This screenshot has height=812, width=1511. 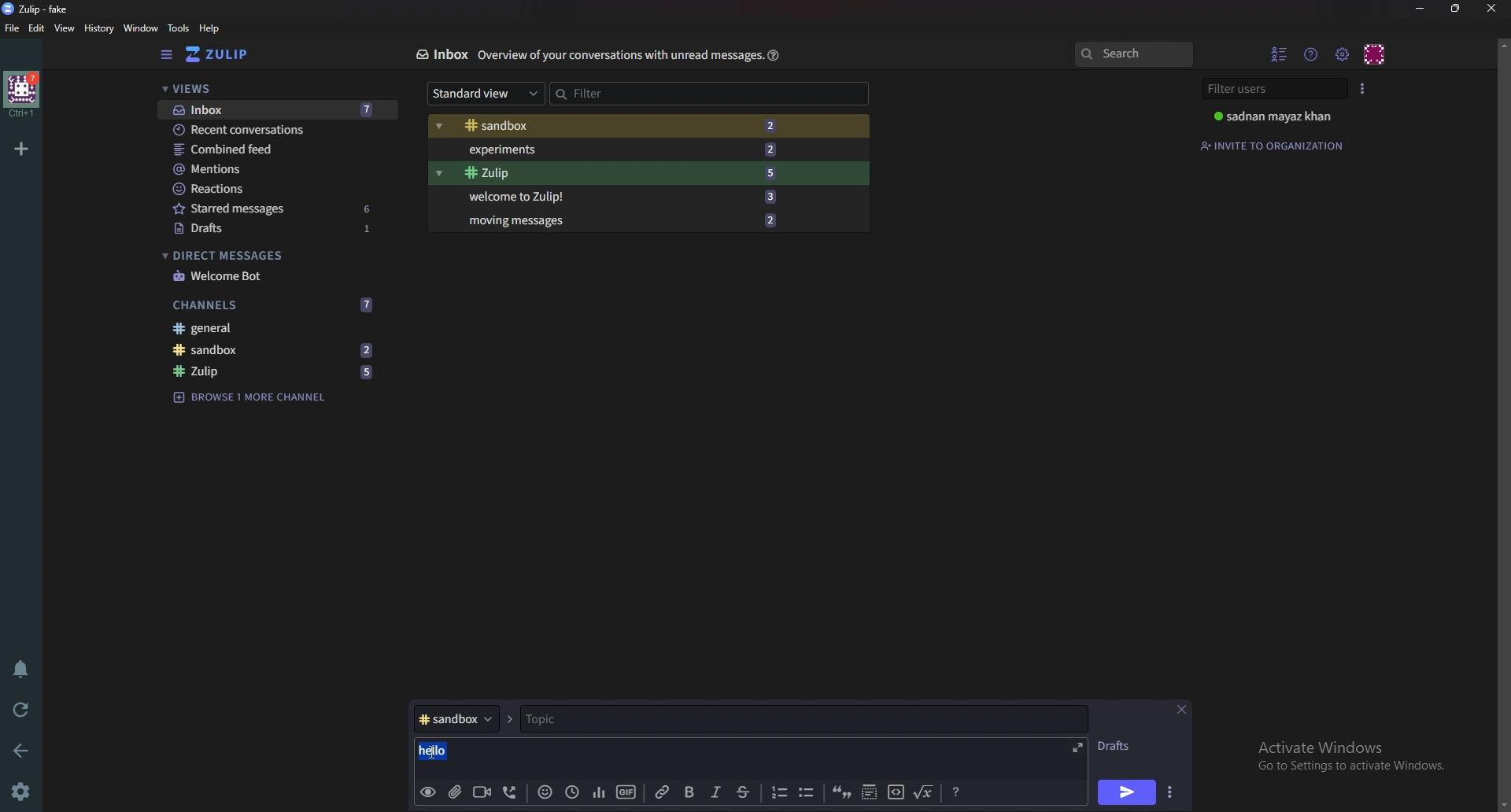 What do you see at coordinates (620, 173) in the screenshot?
I see `#Zulip 5` at bounding box center [620, 173].